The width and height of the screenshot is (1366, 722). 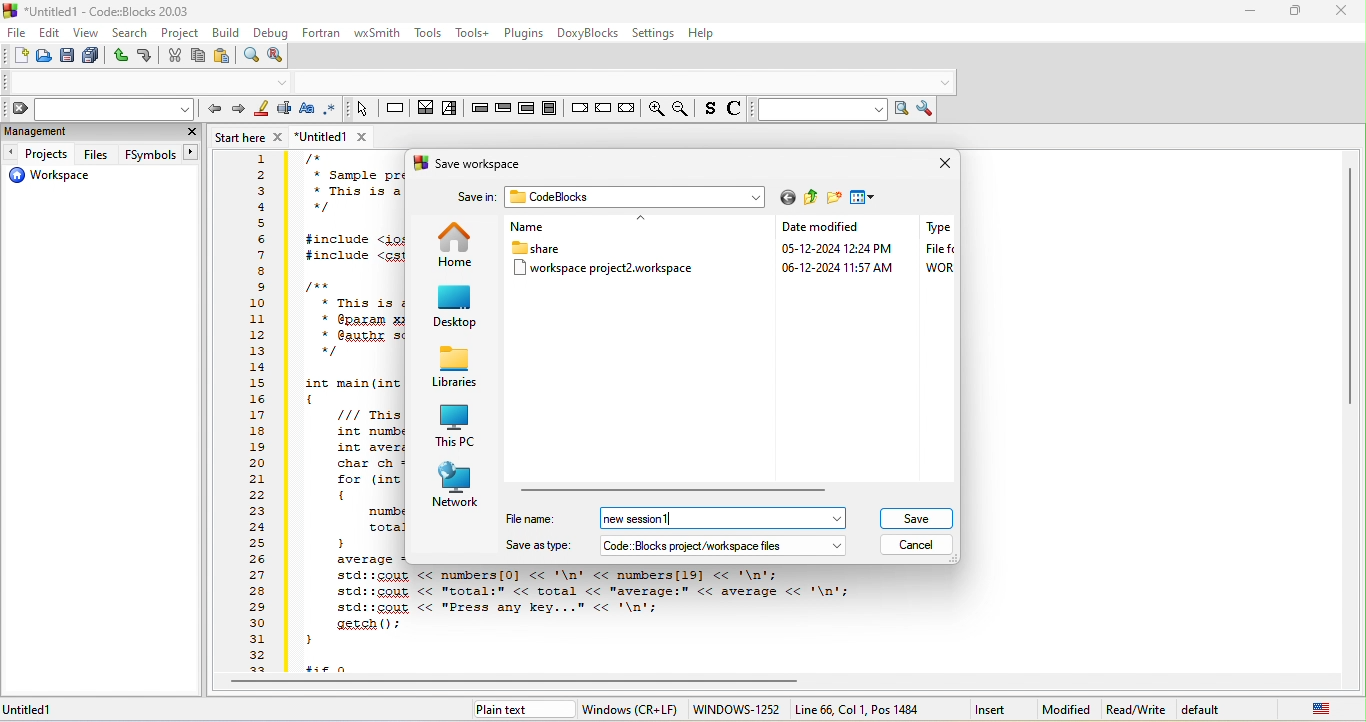 I want to click on dropdown, so click(x=756, y=198).